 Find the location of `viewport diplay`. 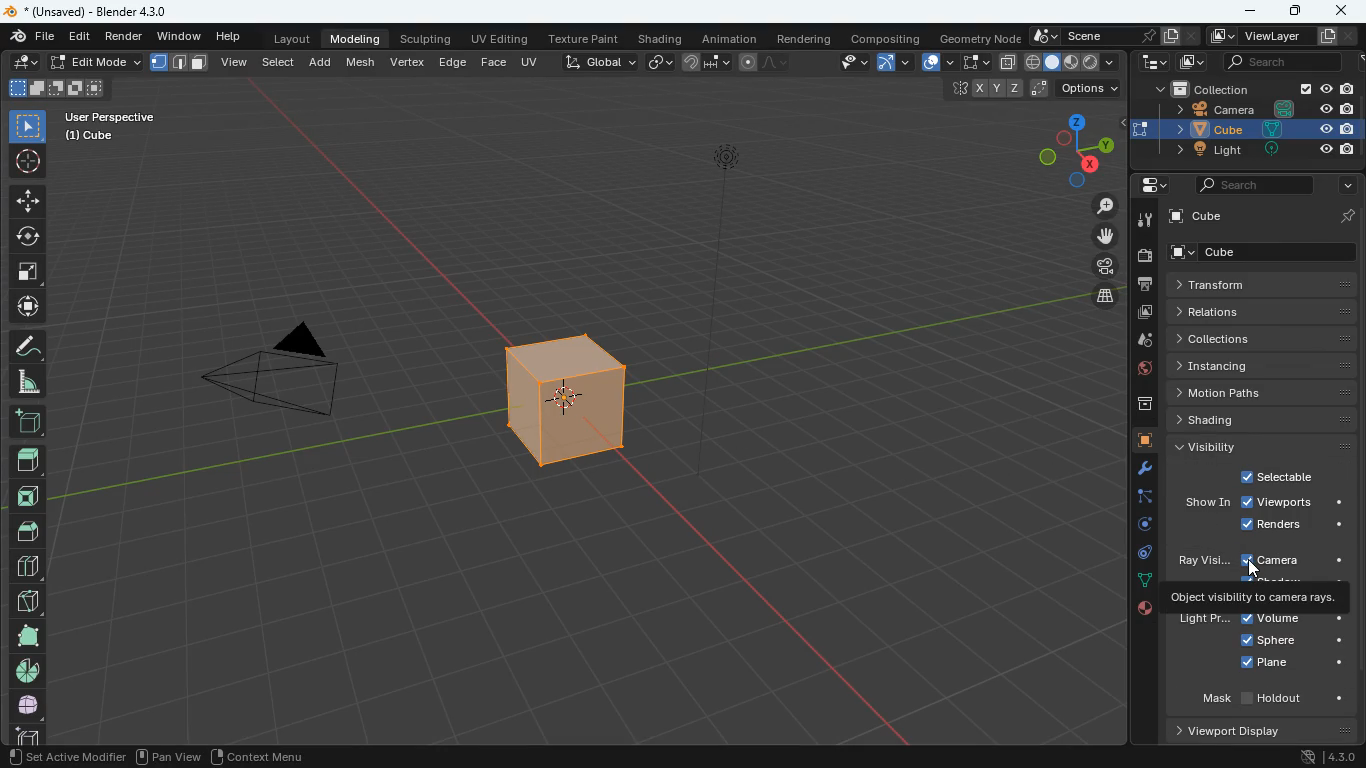

viewport diplay is located at coordinates (1235, 731).